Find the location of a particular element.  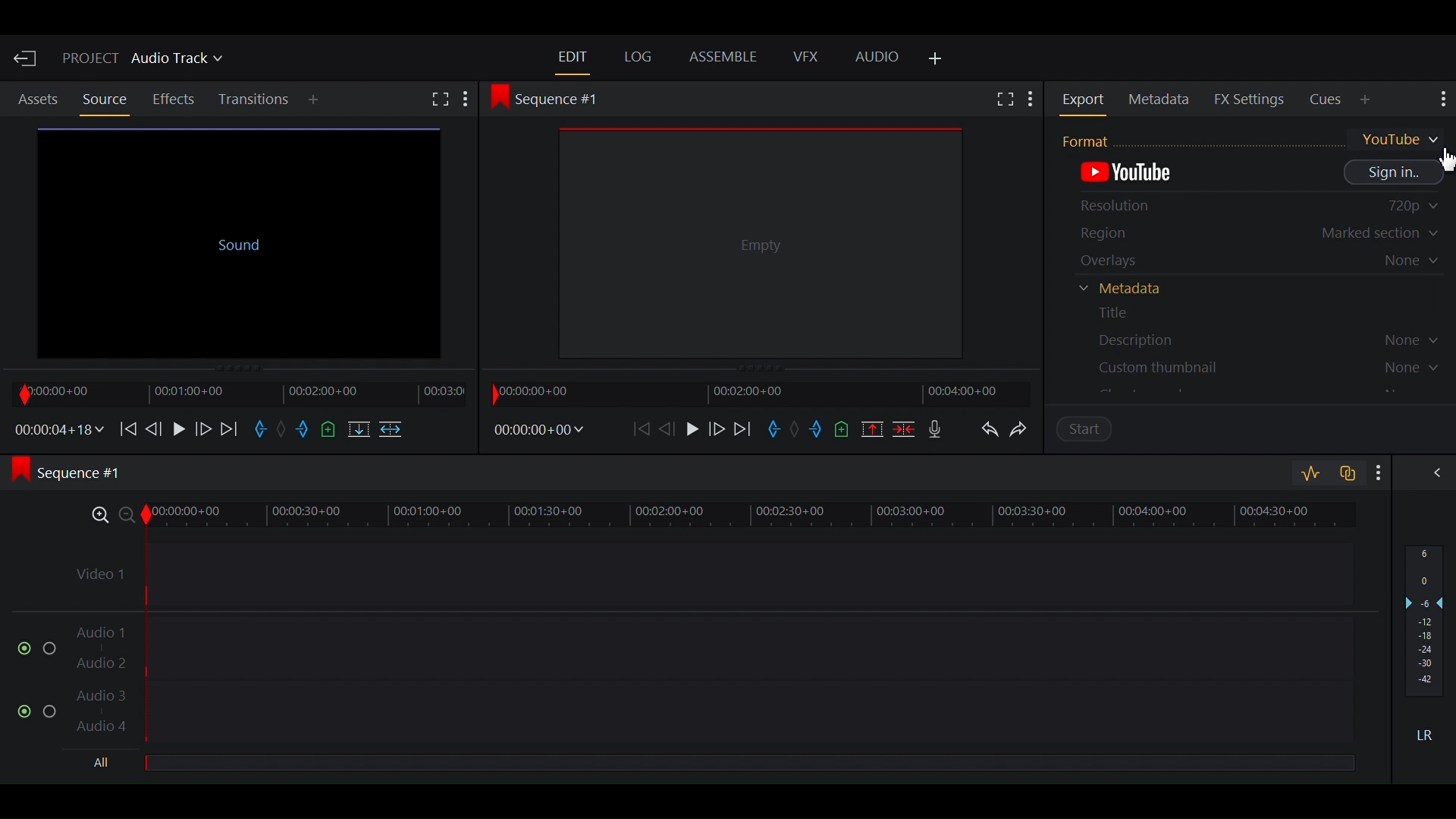

Add a cue is located at coordinates (845, 428).